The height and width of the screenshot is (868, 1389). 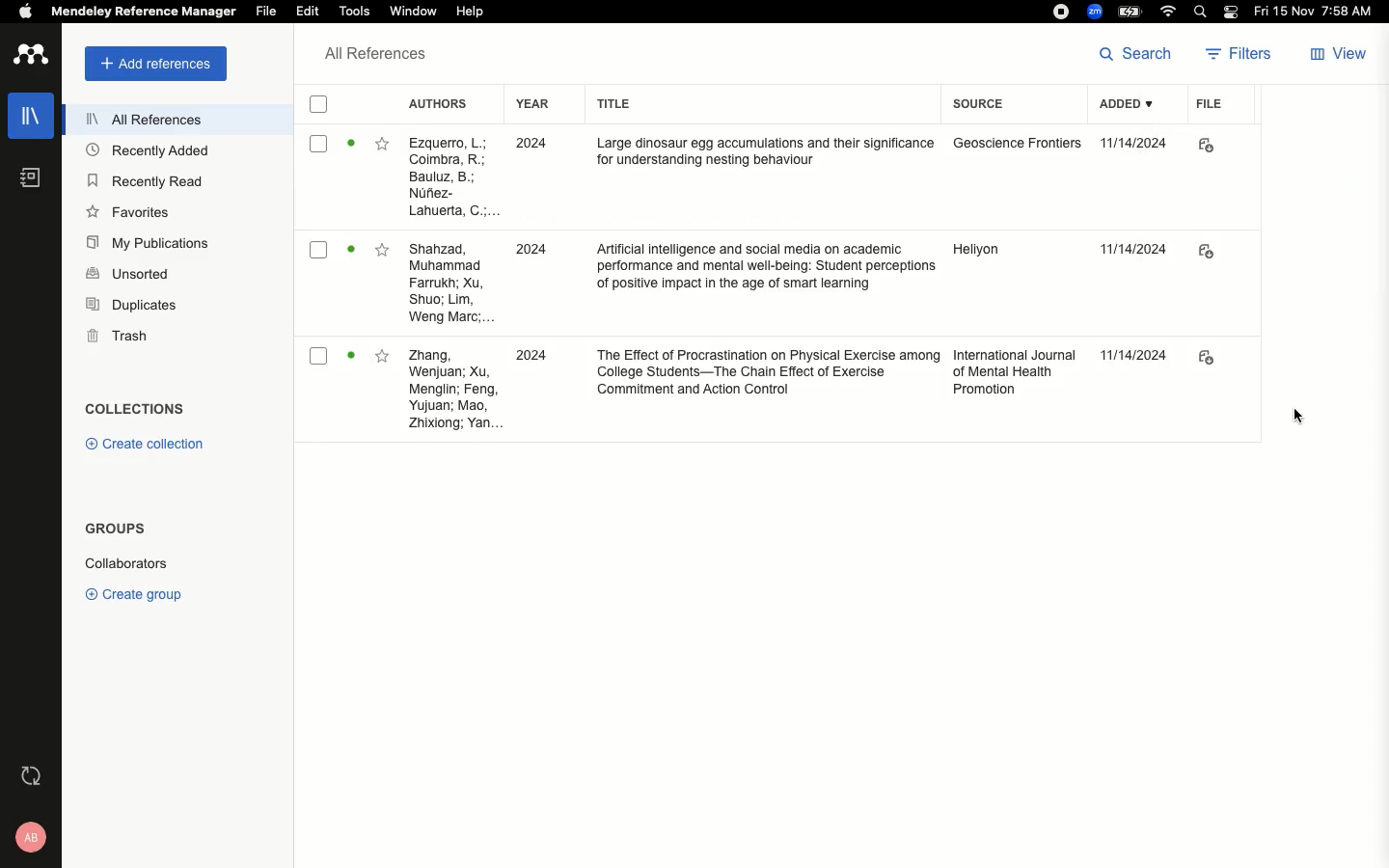 What do you see at coordinates (1093, 12) in the screenshot?
I see `Zoom` at bounding box center [1093, 12].